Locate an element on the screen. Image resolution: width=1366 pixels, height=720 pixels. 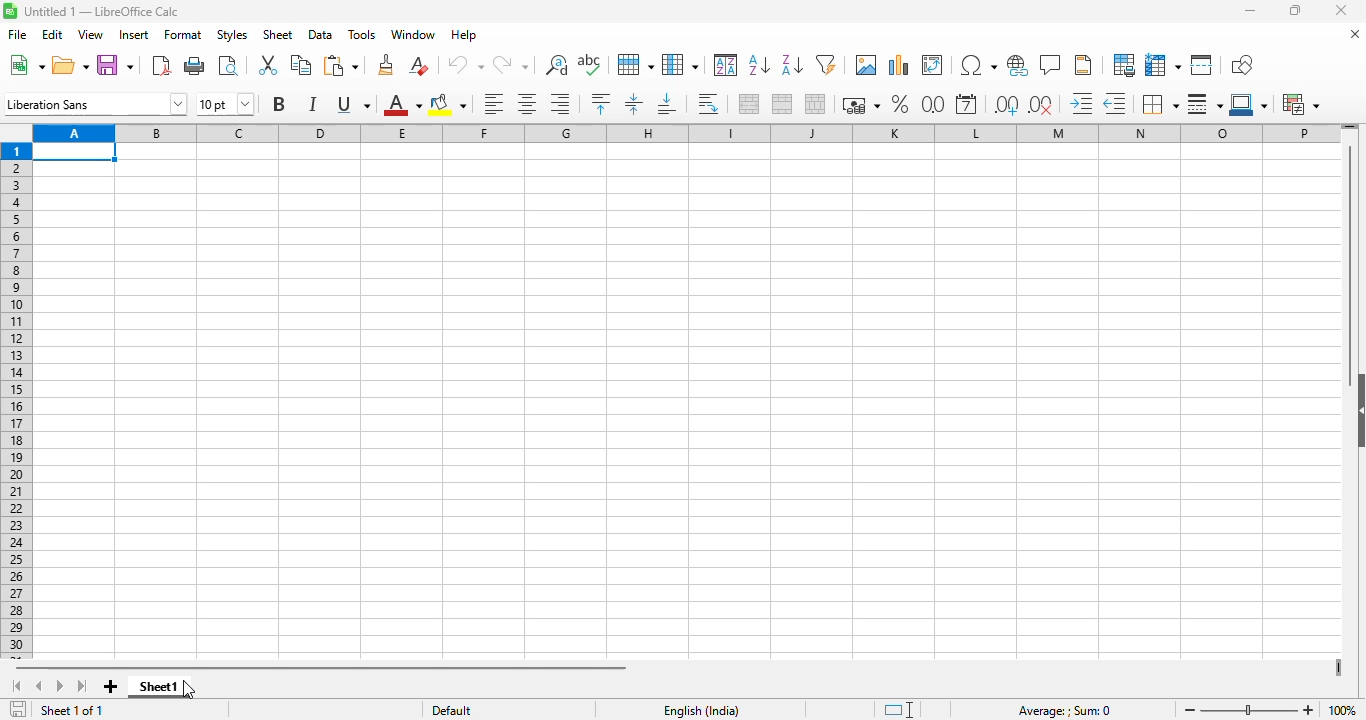
align right is located at coordinates (560, 104).